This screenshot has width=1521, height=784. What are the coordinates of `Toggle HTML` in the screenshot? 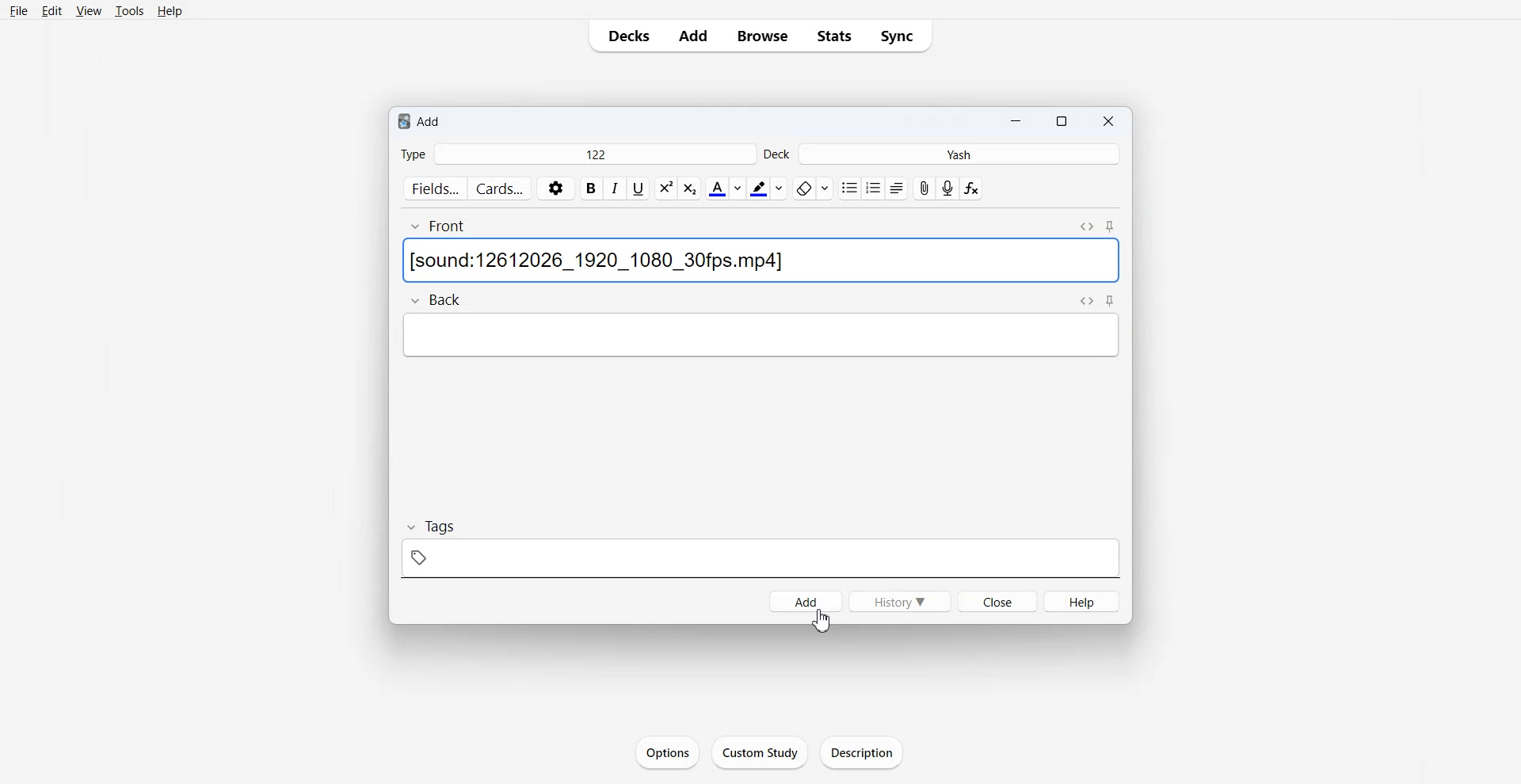 It's located at (1086, 301).